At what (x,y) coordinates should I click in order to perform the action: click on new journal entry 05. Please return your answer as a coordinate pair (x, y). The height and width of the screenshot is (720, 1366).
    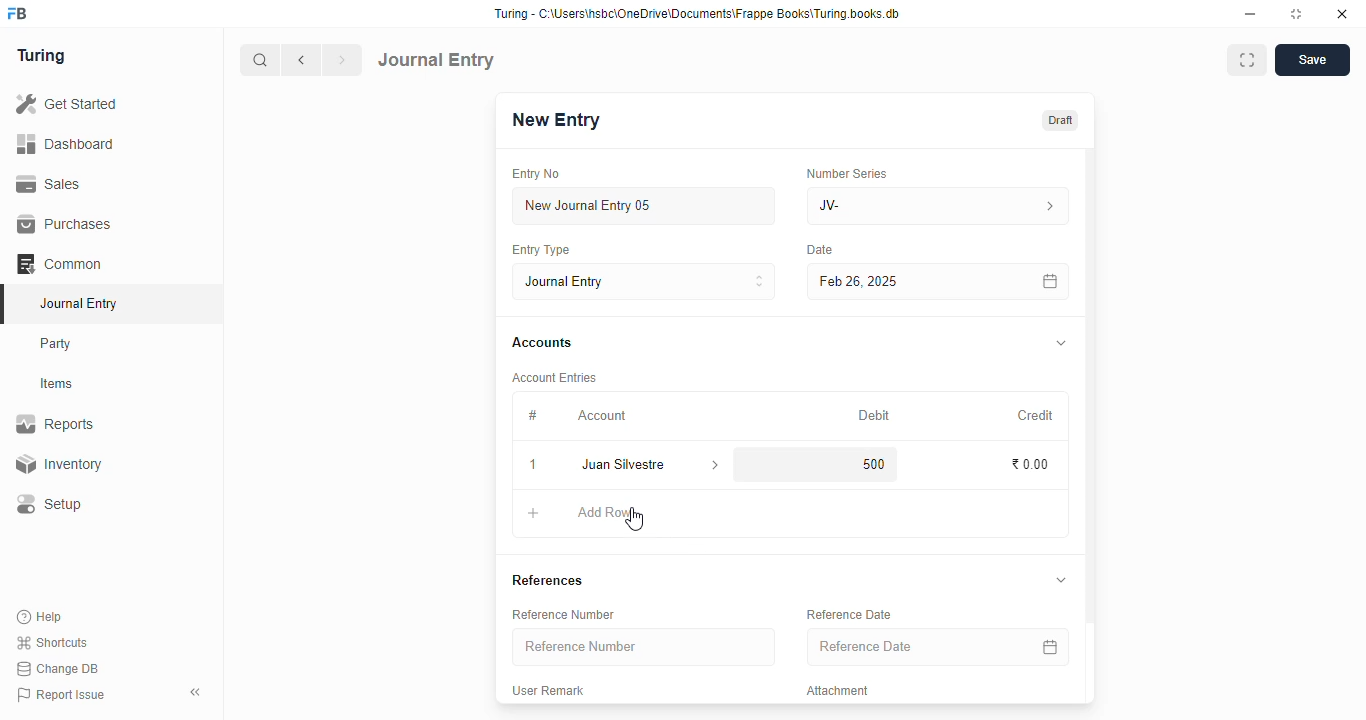
    Looking at the image, I should click on (645, 207).